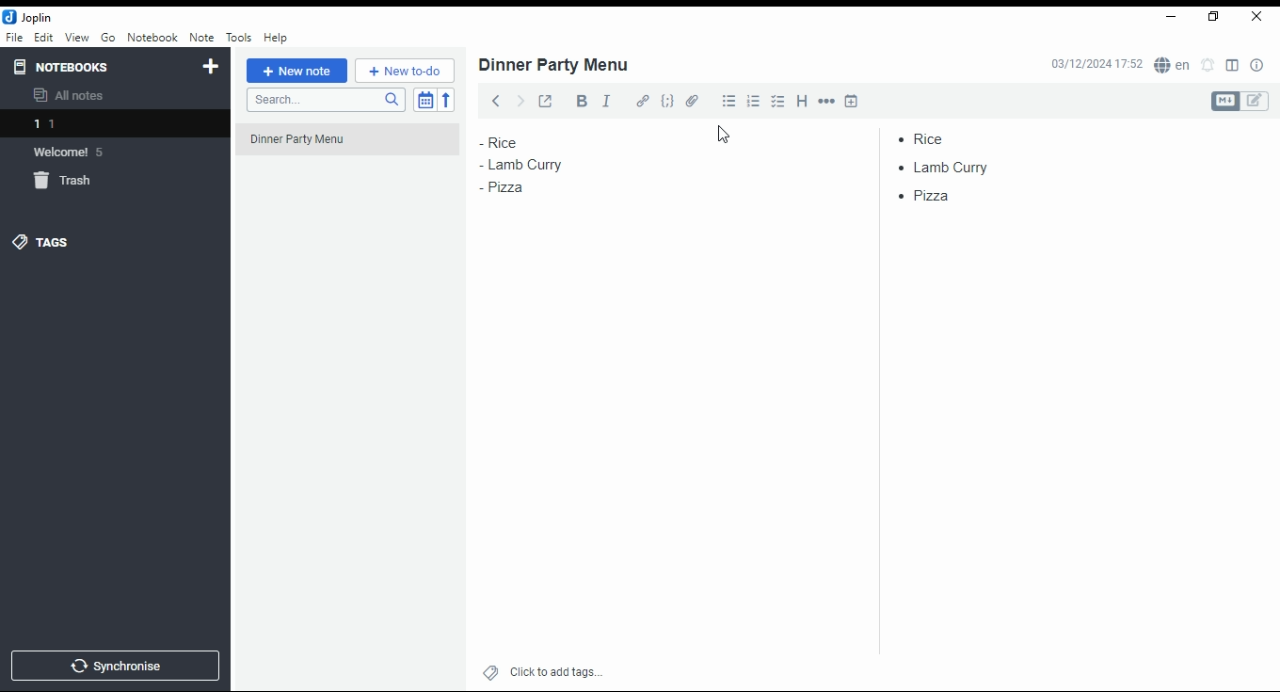  What do you see at coordinates (114, 124) in the screenshot?
I see `1` at bounding box center [114, 124].